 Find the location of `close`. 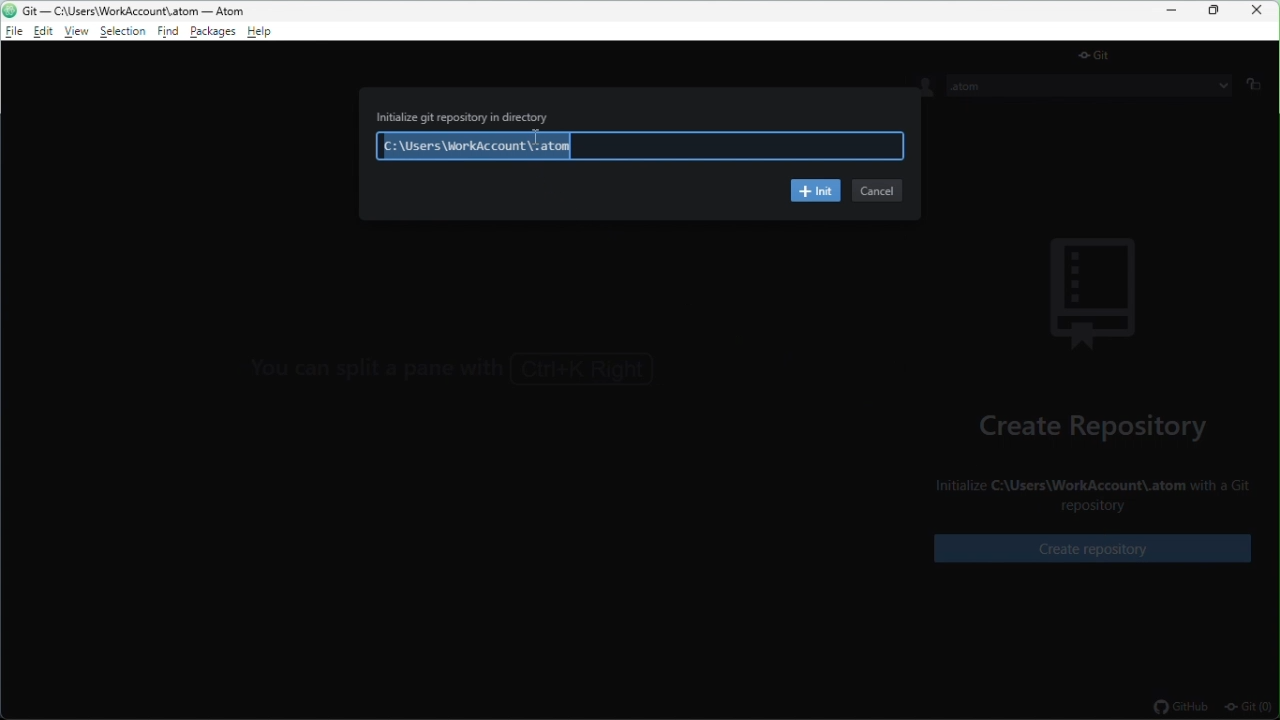

close is located at coordinates (1260, 11).